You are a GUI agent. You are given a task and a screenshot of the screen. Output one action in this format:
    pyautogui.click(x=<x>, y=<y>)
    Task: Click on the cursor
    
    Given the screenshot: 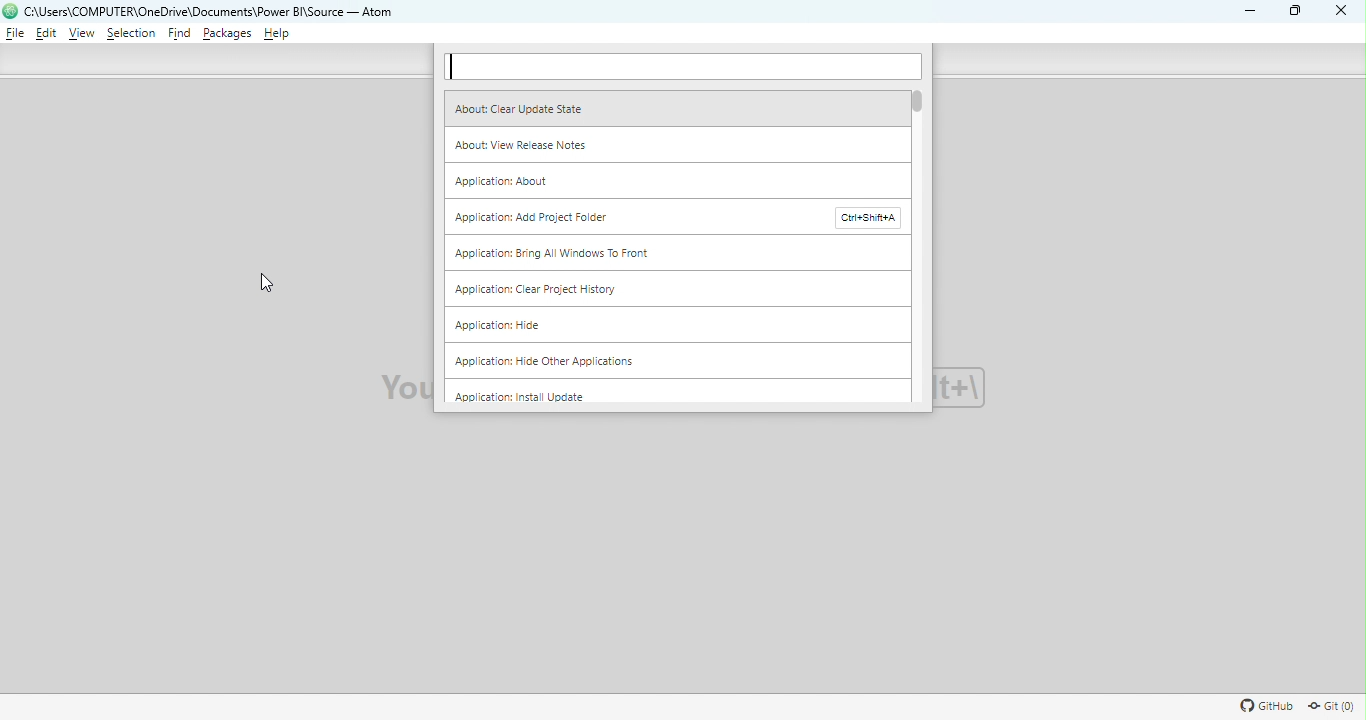 What is the action you would take?
    pyautogui.click(x=269, y=283)
    